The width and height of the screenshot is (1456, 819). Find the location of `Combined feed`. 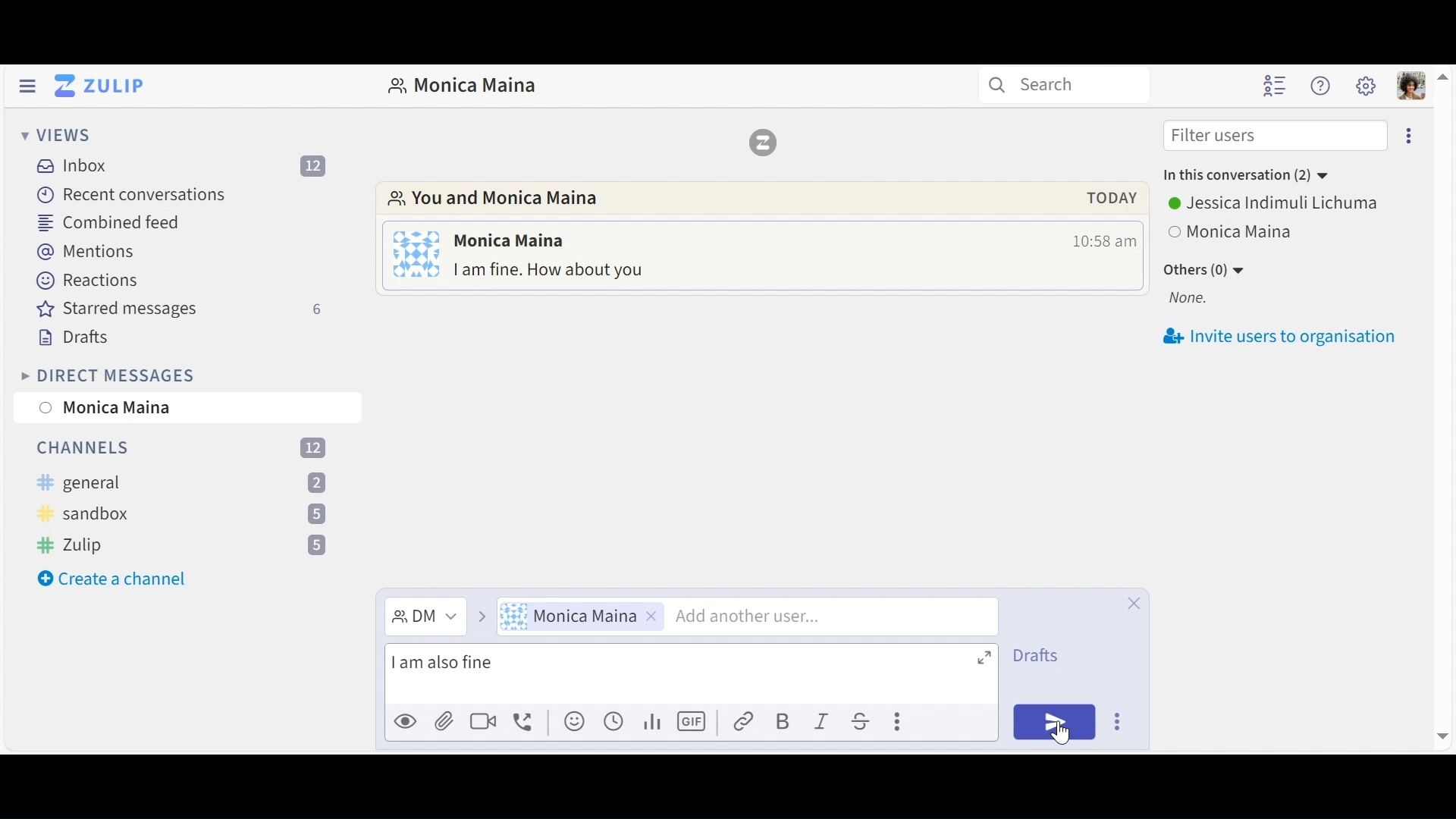

Combined feed is located at coordinates (115, 221).